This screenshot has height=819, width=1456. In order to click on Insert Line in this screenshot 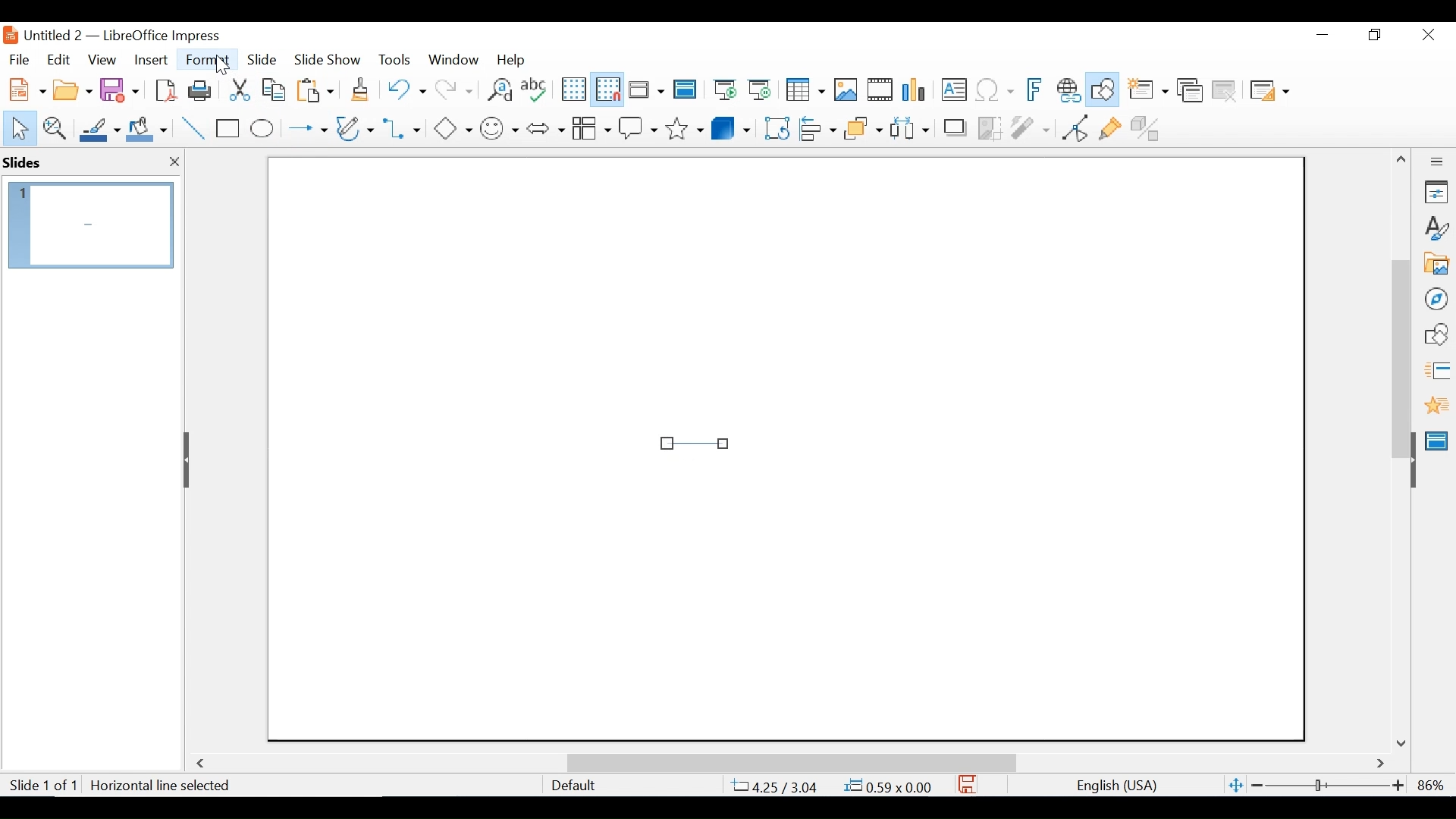, I will do `click(194, 129)`.